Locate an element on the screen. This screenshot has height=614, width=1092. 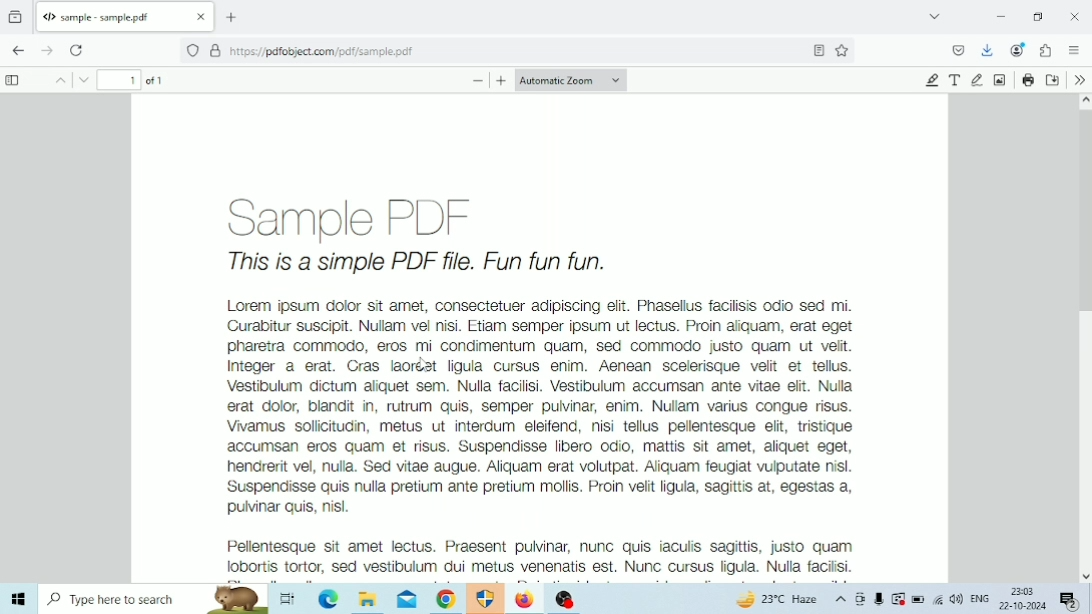
Page number is located at coordinates (120, 79).